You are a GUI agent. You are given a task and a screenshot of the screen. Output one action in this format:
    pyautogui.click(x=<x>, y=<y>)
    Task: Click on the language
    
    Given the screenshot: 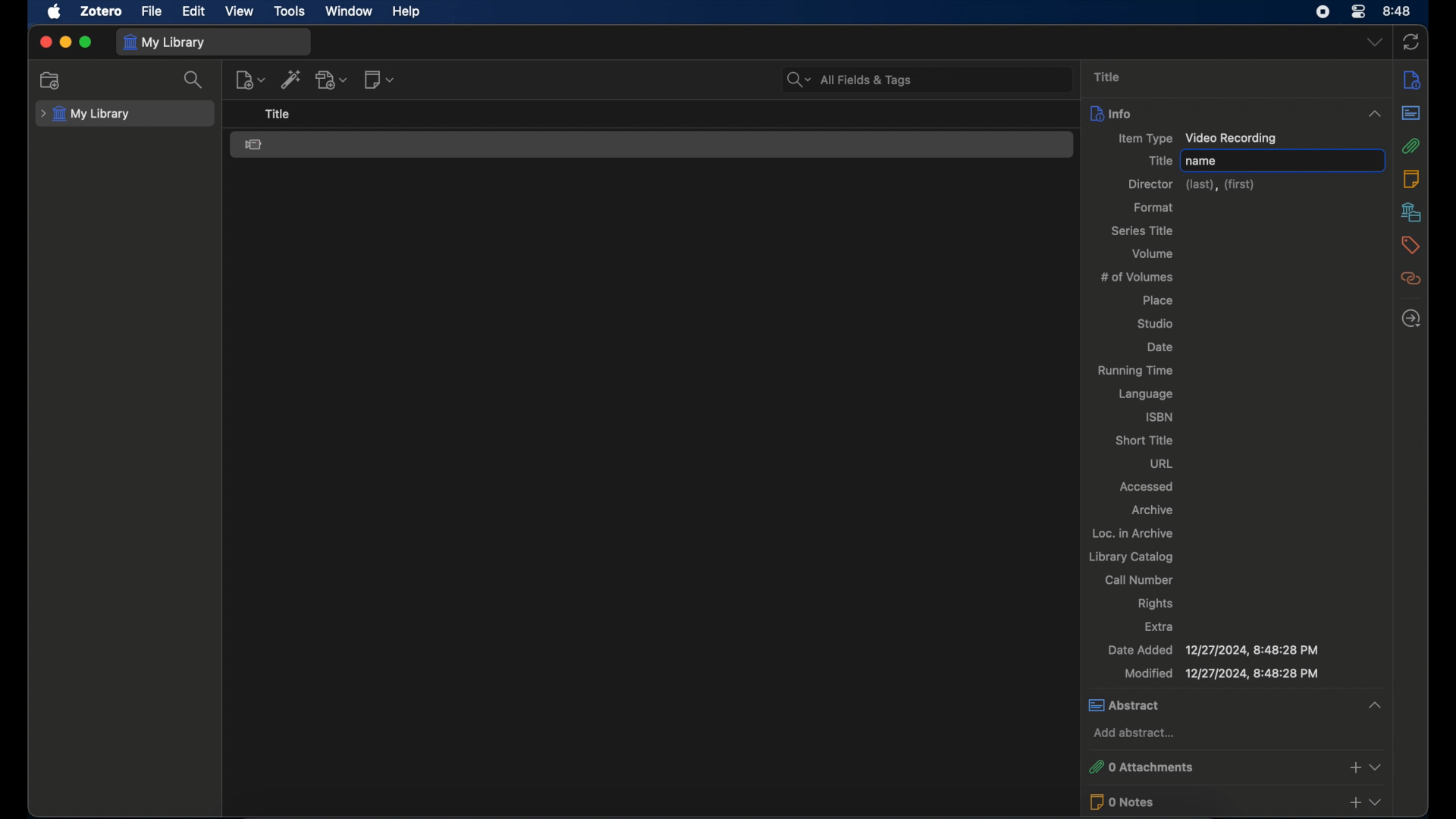 What is the action you would take?
    pyautogui.click(x=1147, y=394)
    